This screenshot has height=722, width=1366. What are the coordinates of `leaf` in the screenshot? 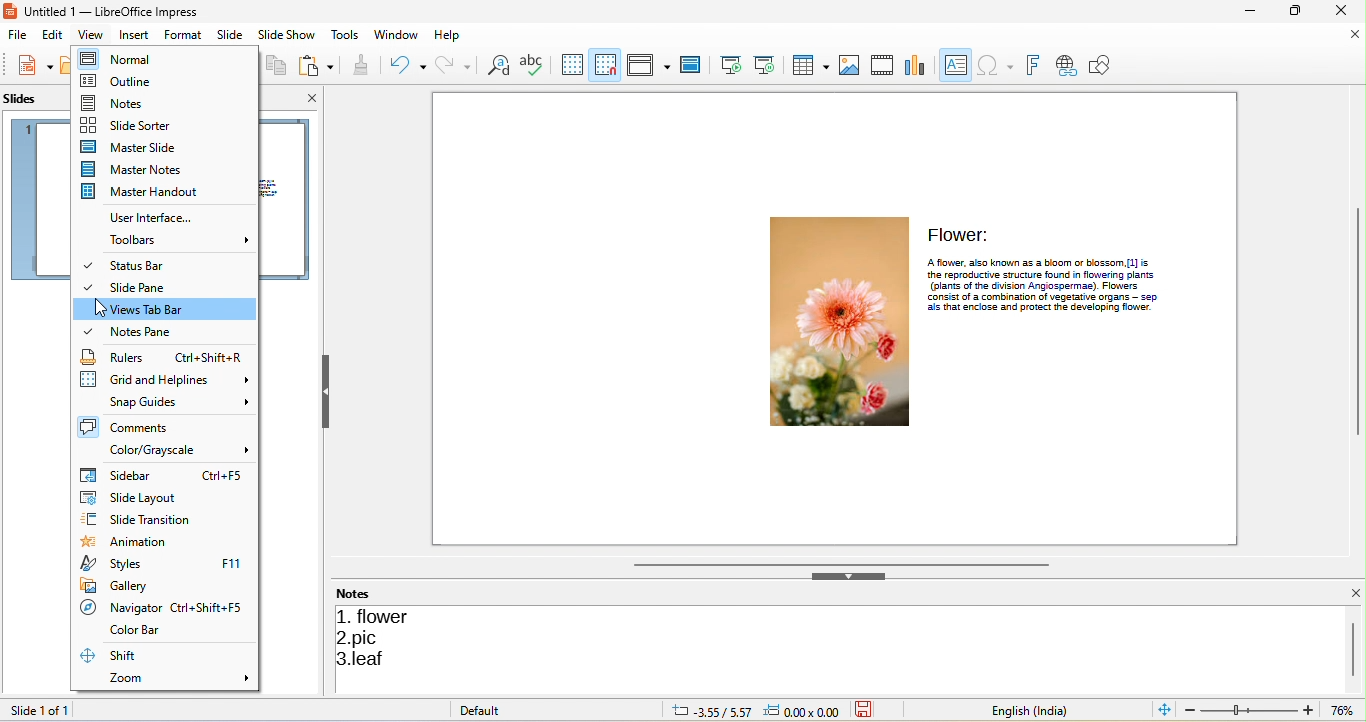 It's located at (368, 660).